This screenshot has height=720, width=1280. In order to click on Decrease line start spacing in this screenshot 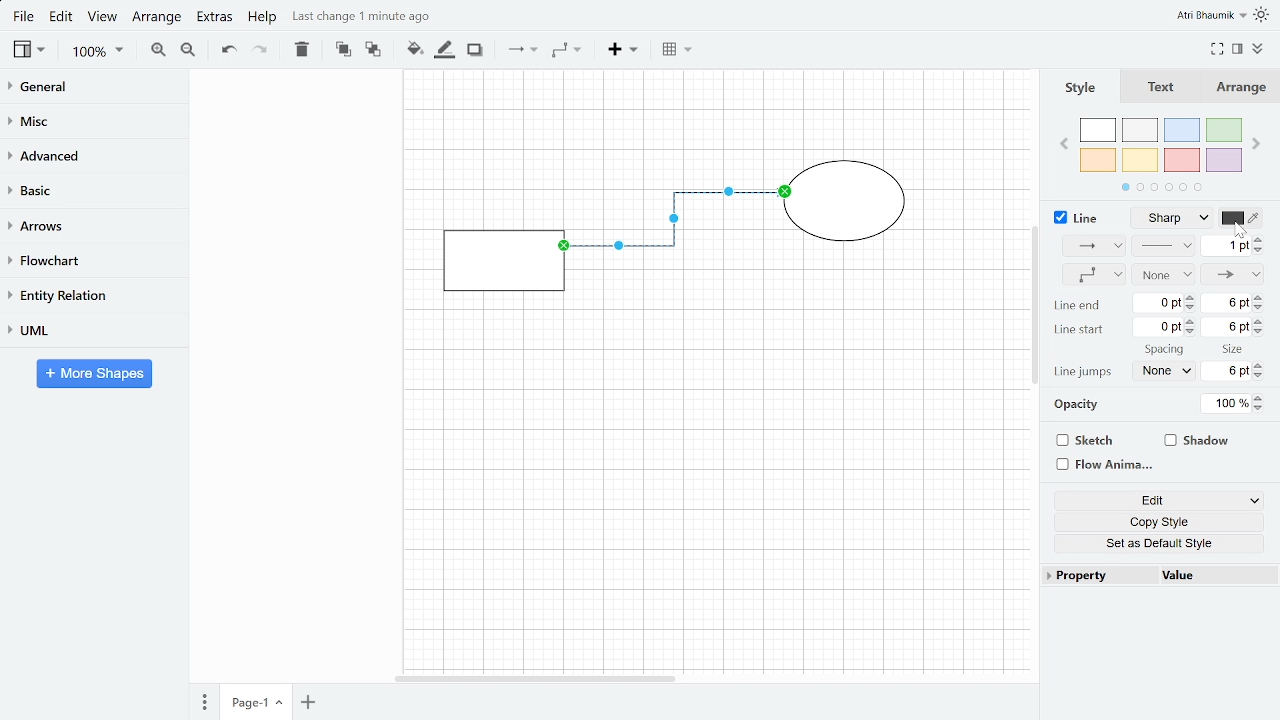, I will do `click(1192, 333)`.